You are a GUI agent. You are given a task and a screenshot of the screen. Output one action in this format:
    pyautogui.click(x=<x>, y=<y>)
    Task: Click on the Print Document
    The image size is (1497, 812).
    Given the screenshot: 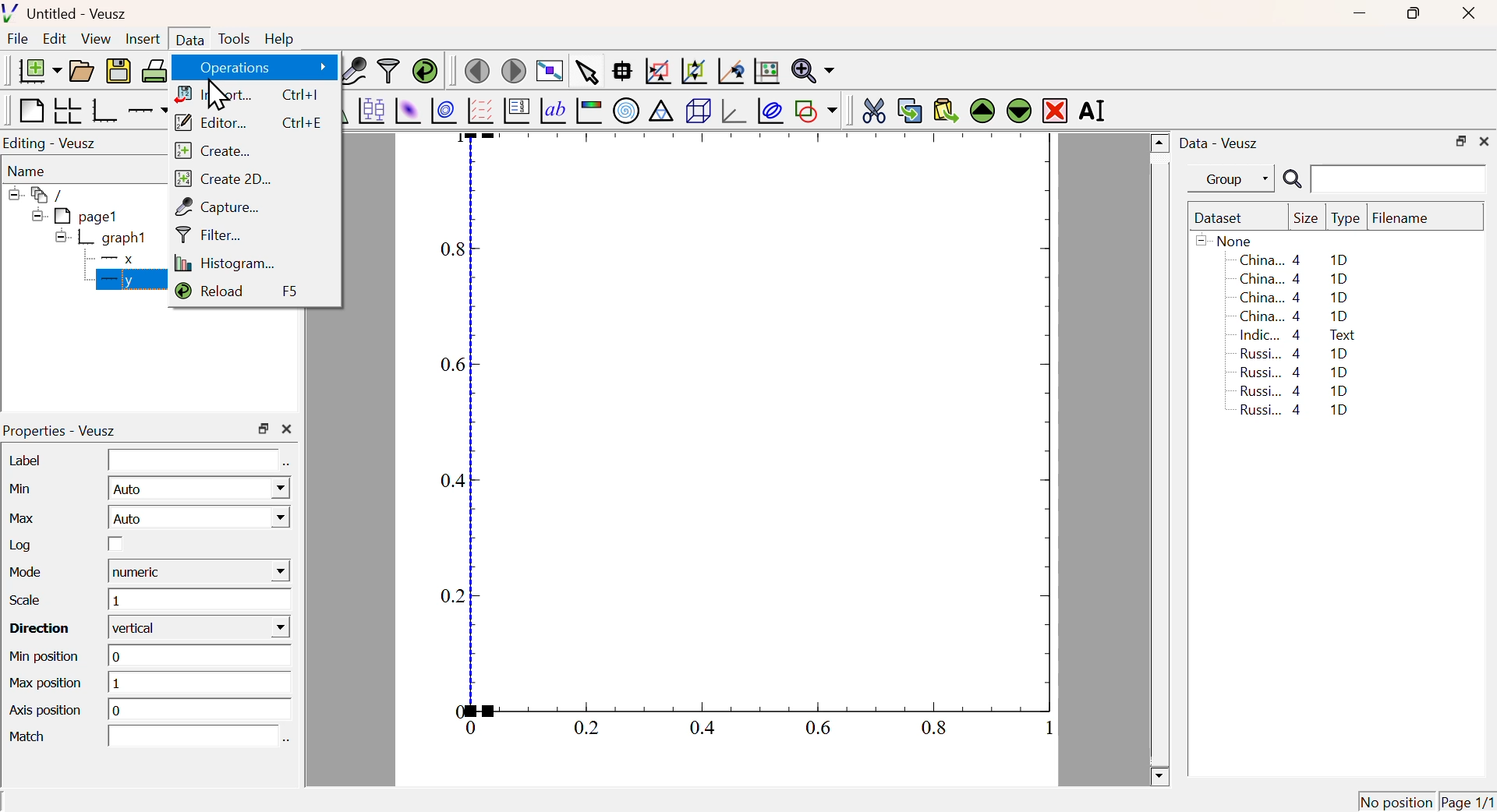 What is the action you would take?
    pyautogui.click(x=154, y=70)
    